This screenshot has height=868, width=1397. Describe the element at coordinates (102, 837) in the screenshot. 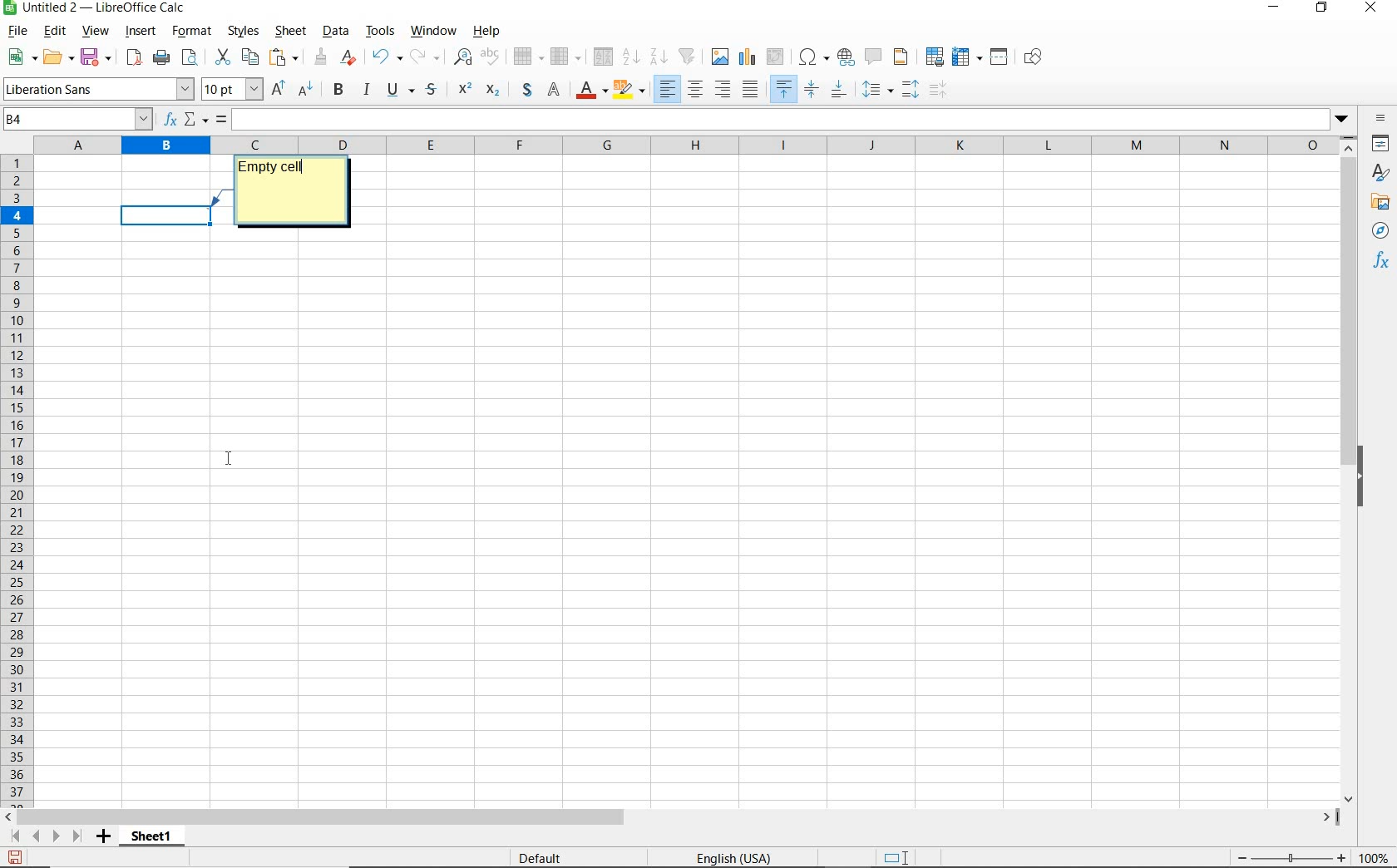

I see `add sheet` at that location.